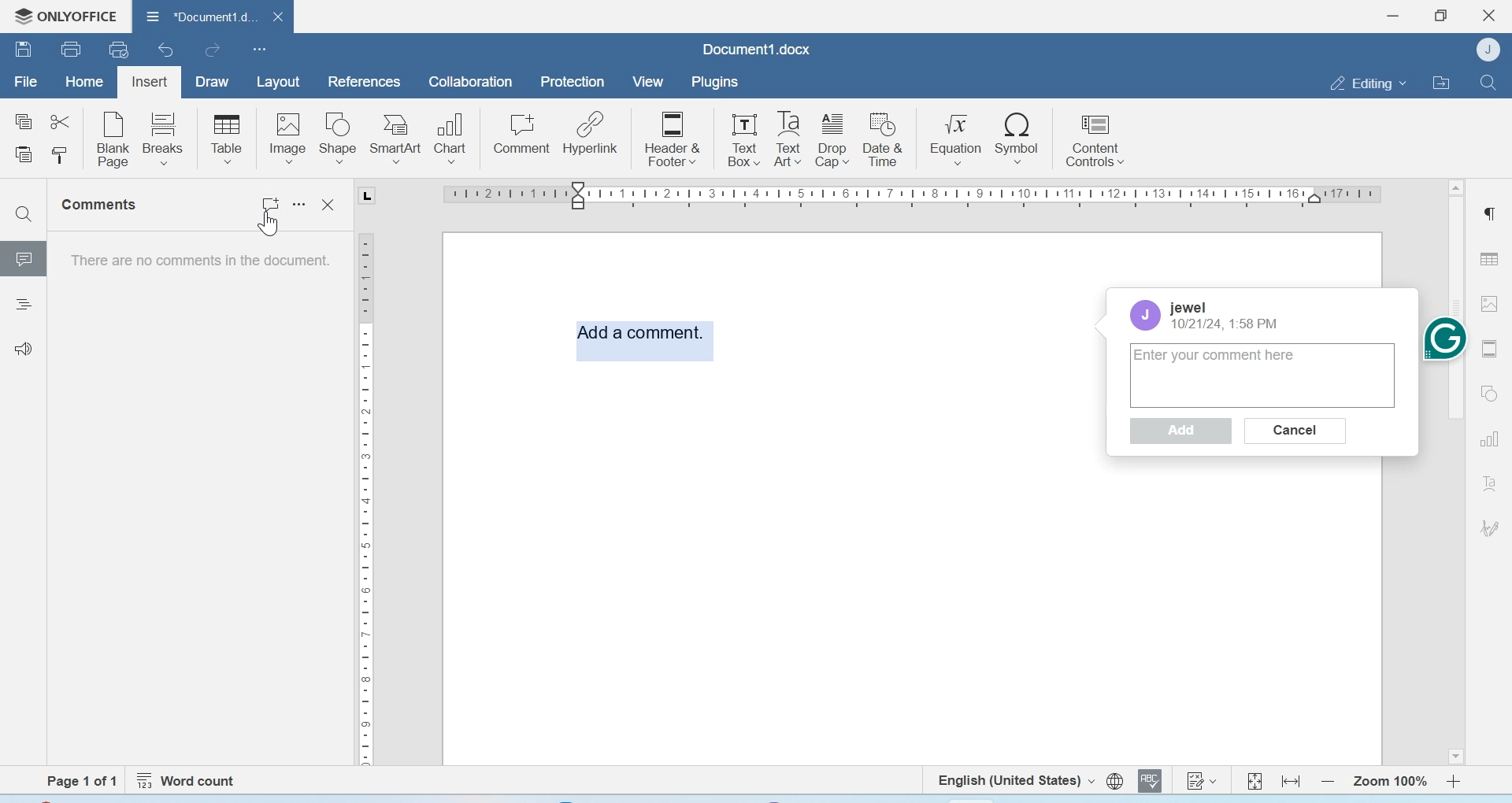 Image resolution: width=1512 pixels, height=803 pixels. Describe the element at coordinates (396, 139) in the screenshot. I see `SmartArt` at that location.